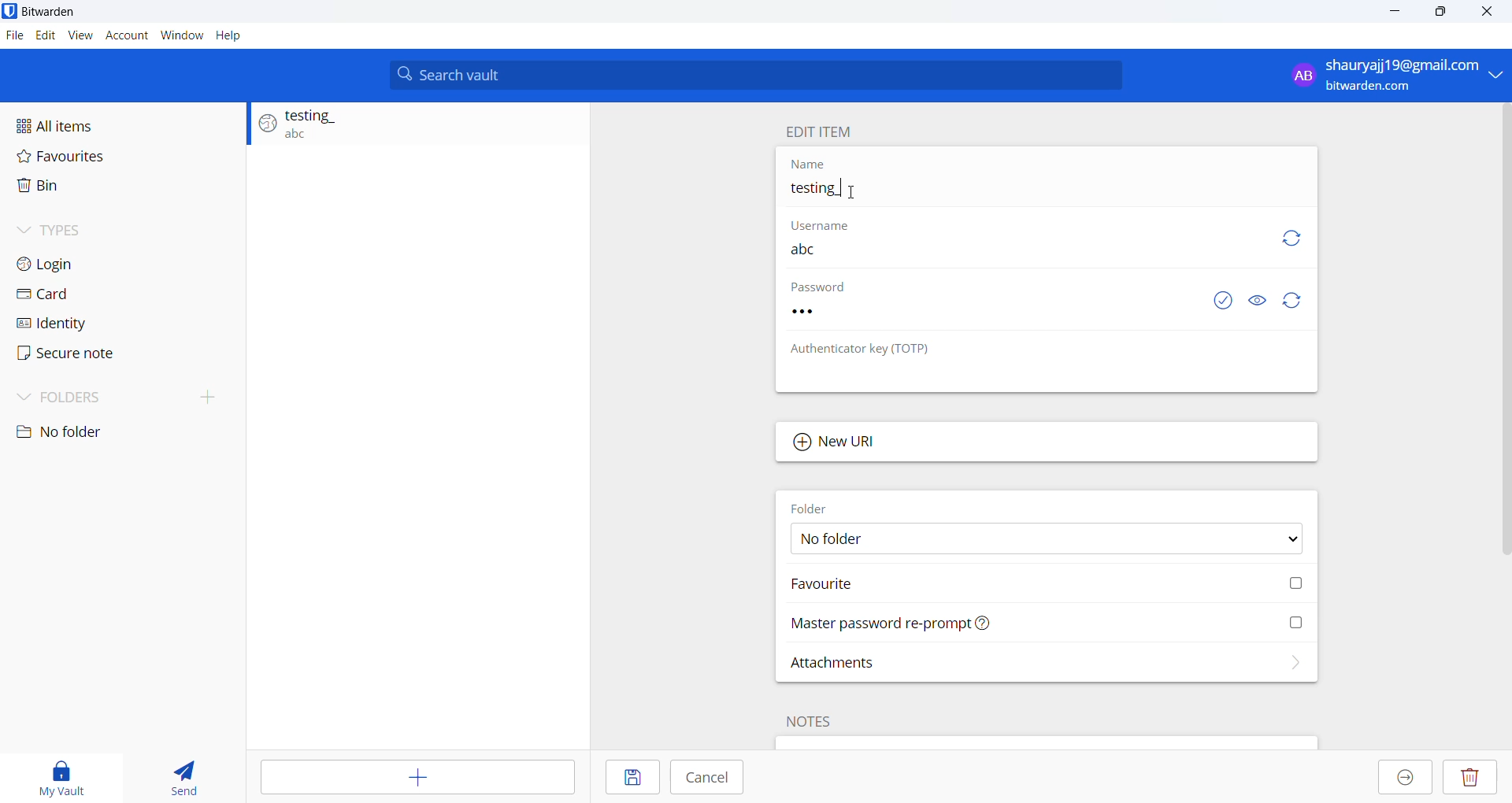 The width and height of the screenshot is (1512, 803). I want to click on Move to organization, so click(1405, 778).